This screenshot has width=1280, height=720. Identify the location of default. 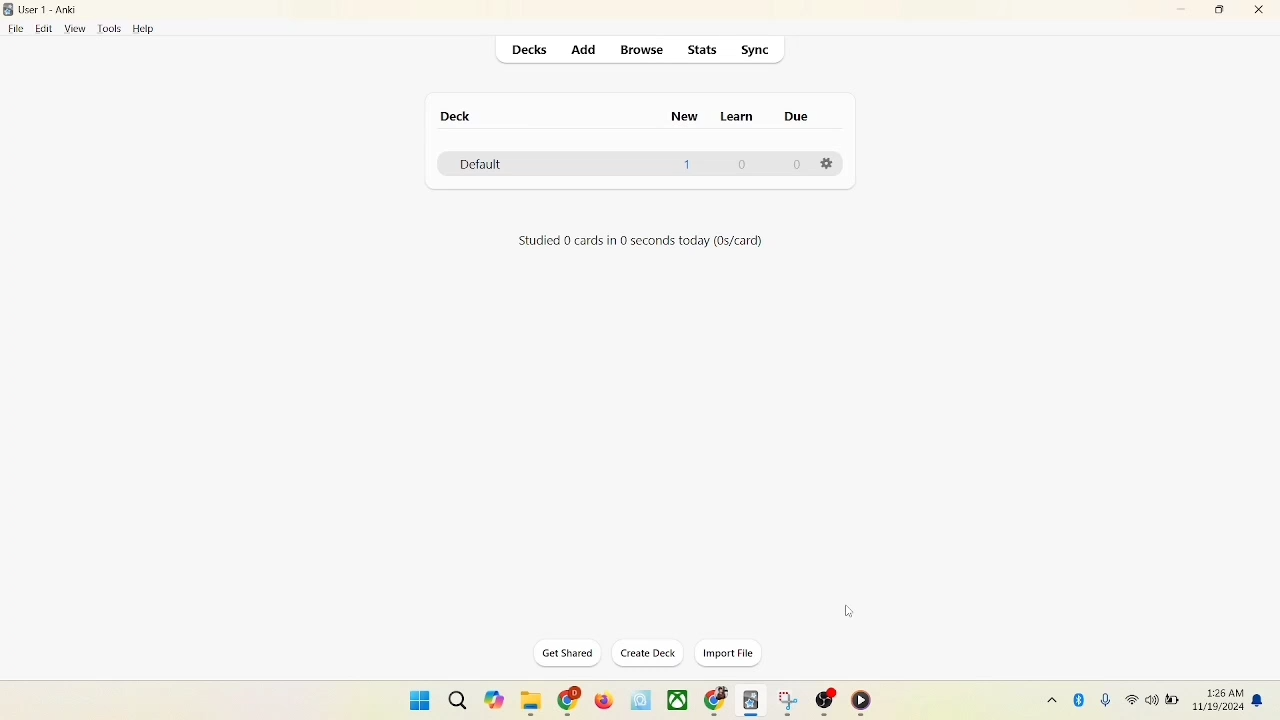
(475, 166).